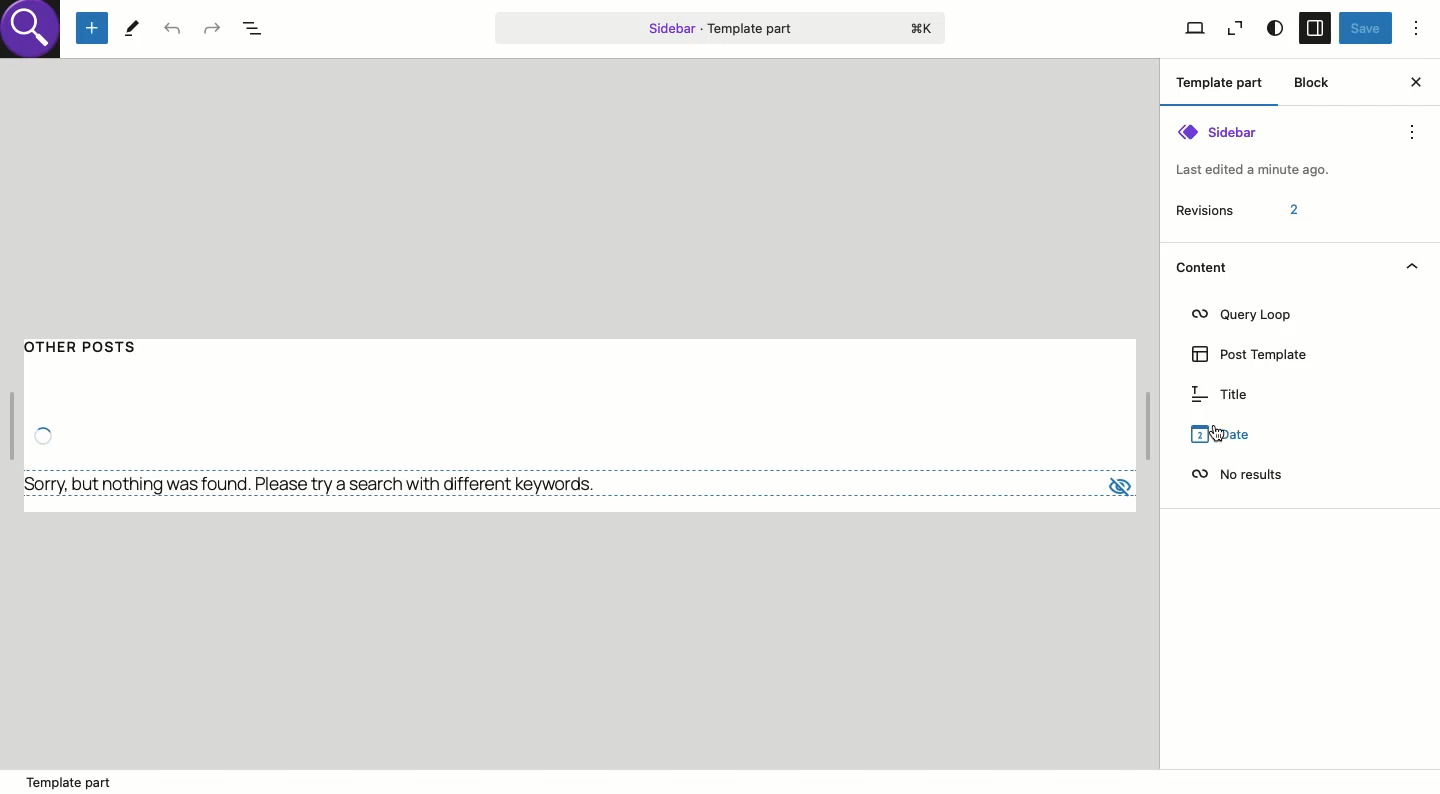 This screenshot has width=1440, height=794. What do you see at coordinates (1200, 266) in the screenshot?
I see `Content` at bounding box center [1200, 266].